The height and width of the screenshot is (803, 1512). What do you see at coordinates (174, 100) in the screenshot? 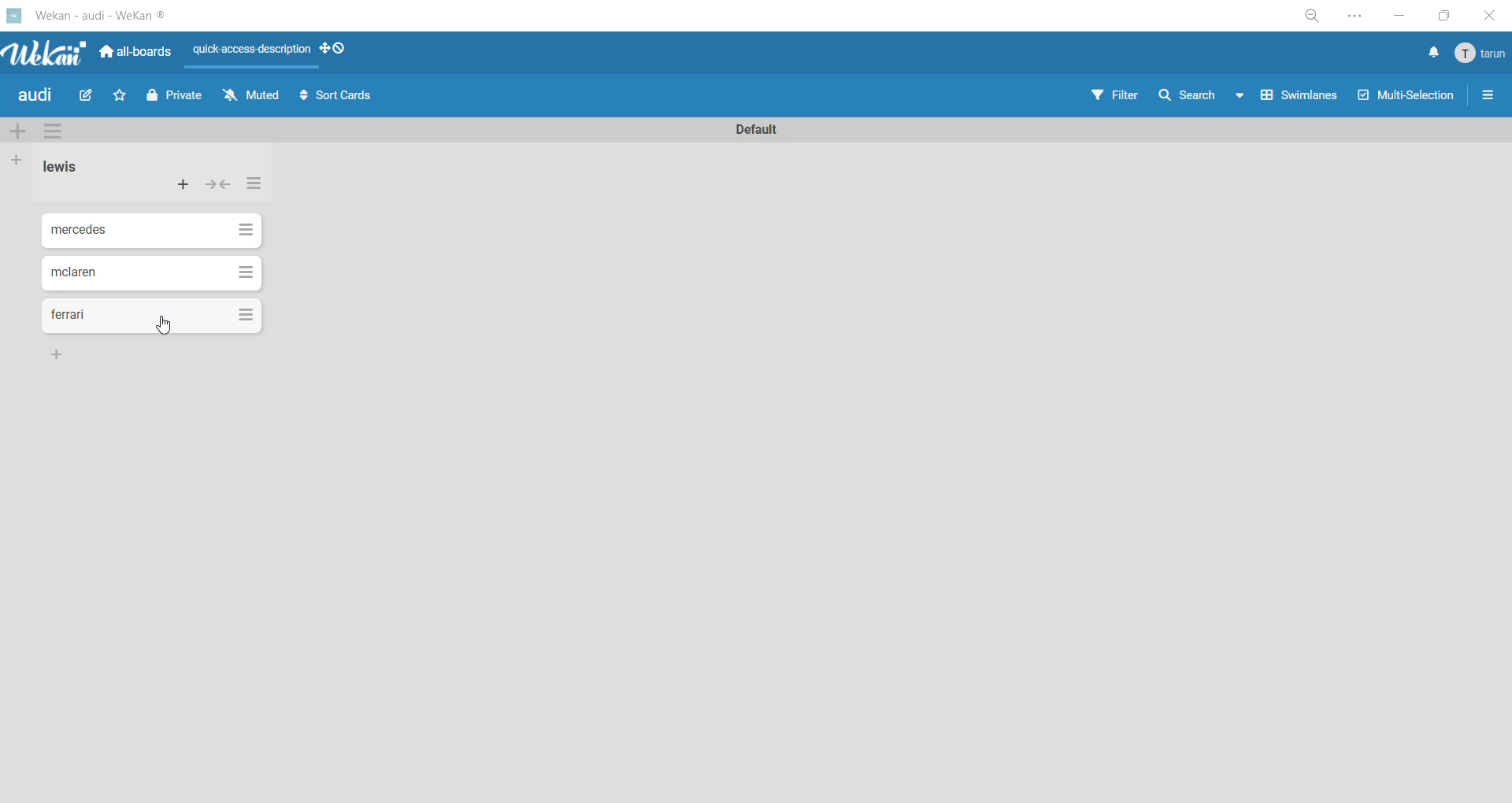
I see `private` at bounding box center [174, 100].